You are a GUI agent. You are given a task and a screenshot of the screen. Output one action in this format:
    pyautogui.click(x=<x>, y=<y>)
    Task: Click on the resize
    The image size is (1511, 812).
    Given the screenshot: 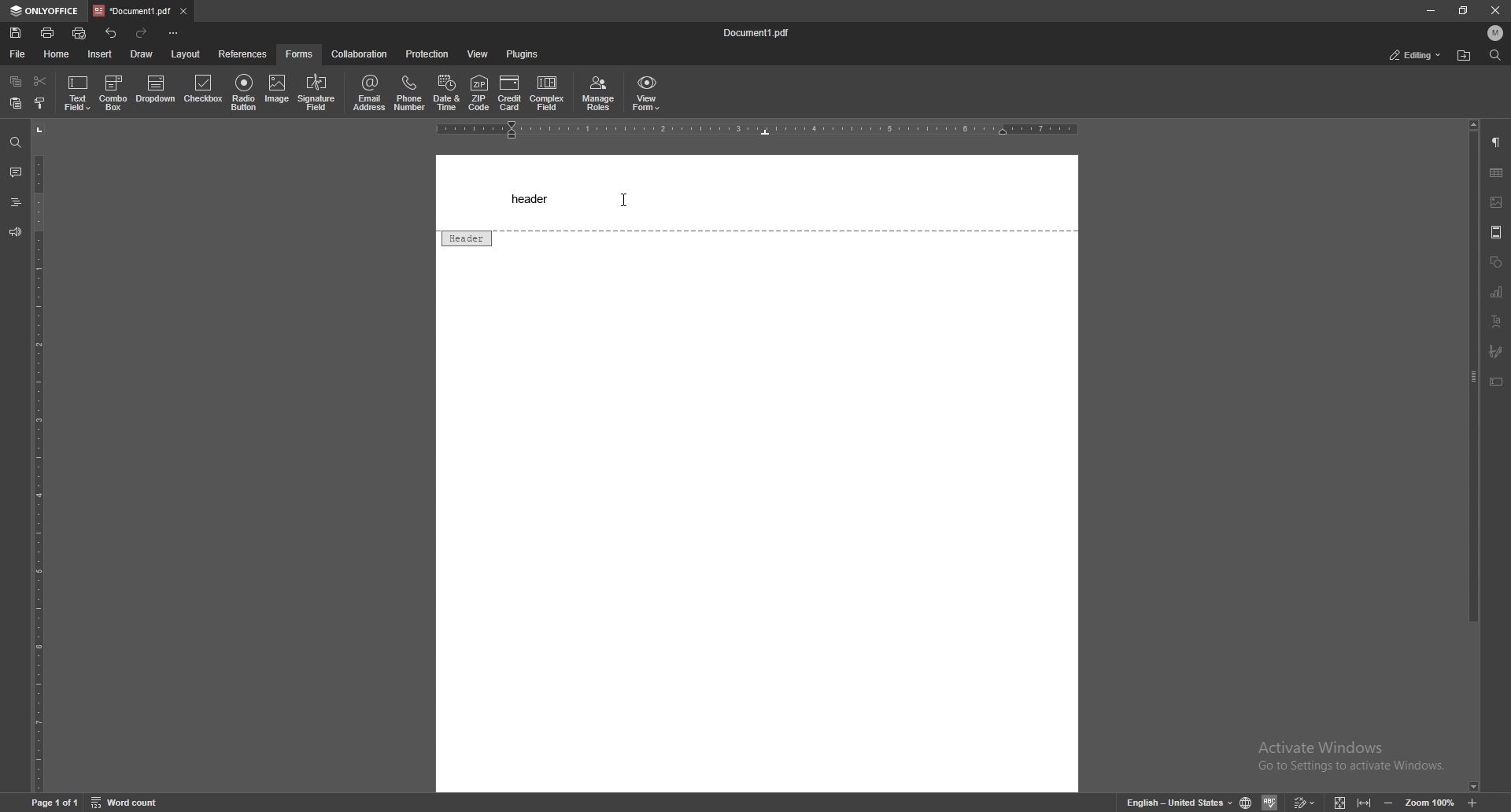 What is the action you would take?
    pyautogui.click(x=1463, y=9)
    